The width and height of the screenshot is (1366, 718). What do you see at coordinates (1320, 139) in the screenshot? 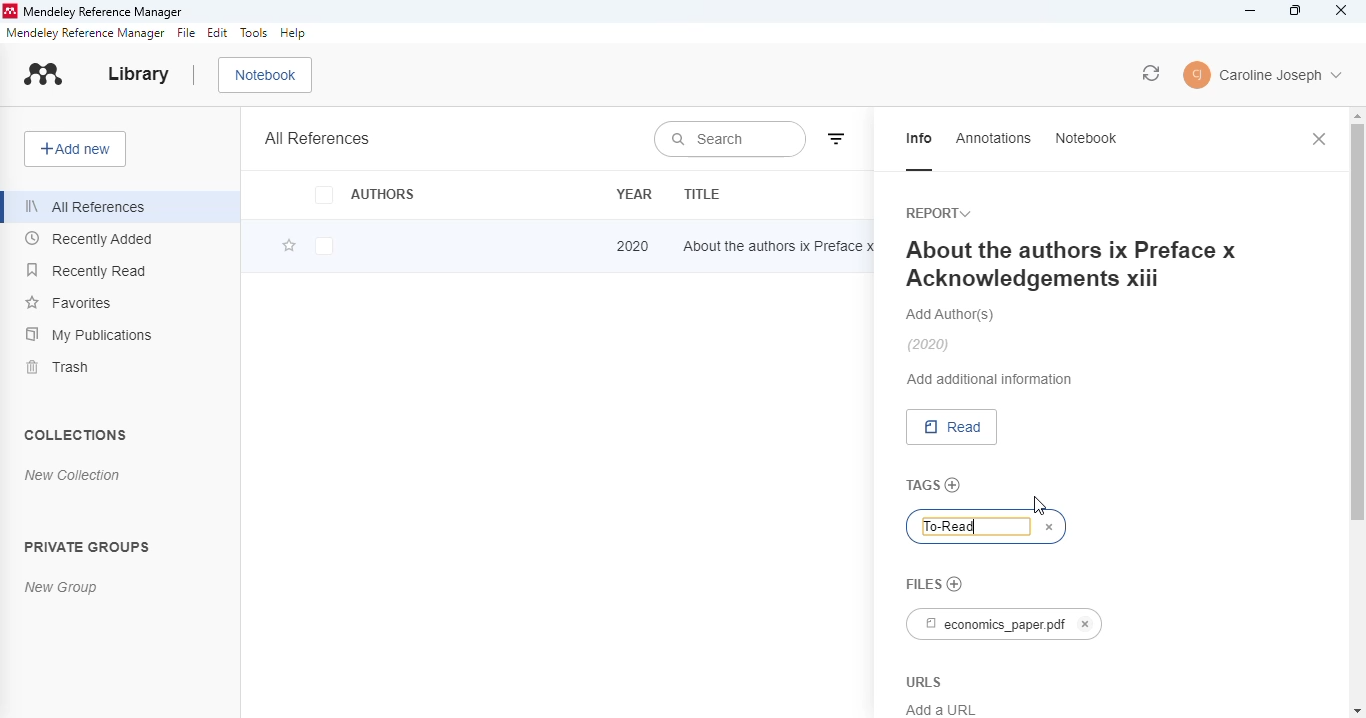
I see `close` at bounding box center [1320, 139].